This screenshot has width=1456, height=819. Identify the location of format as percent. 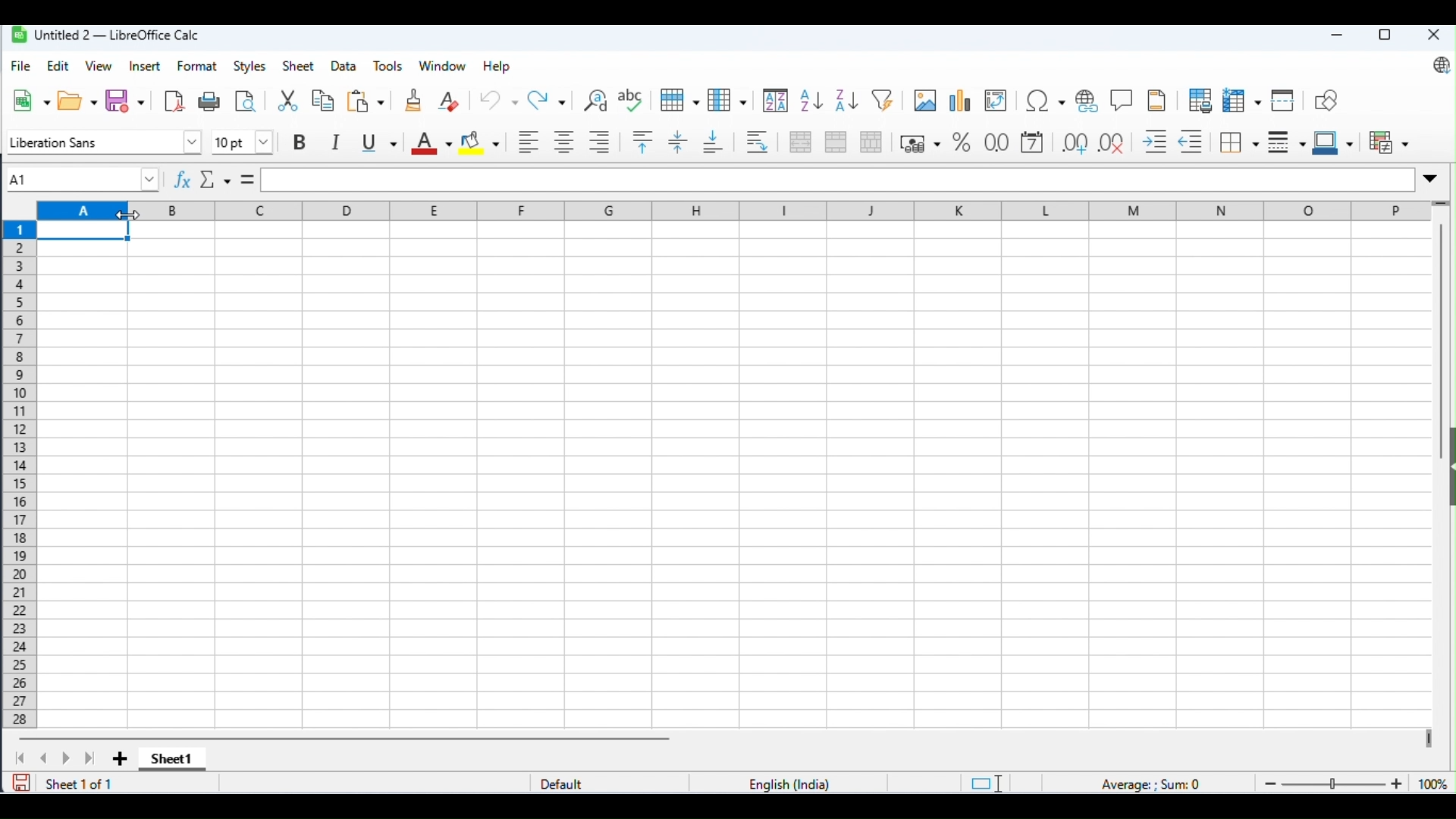
(919, 143).